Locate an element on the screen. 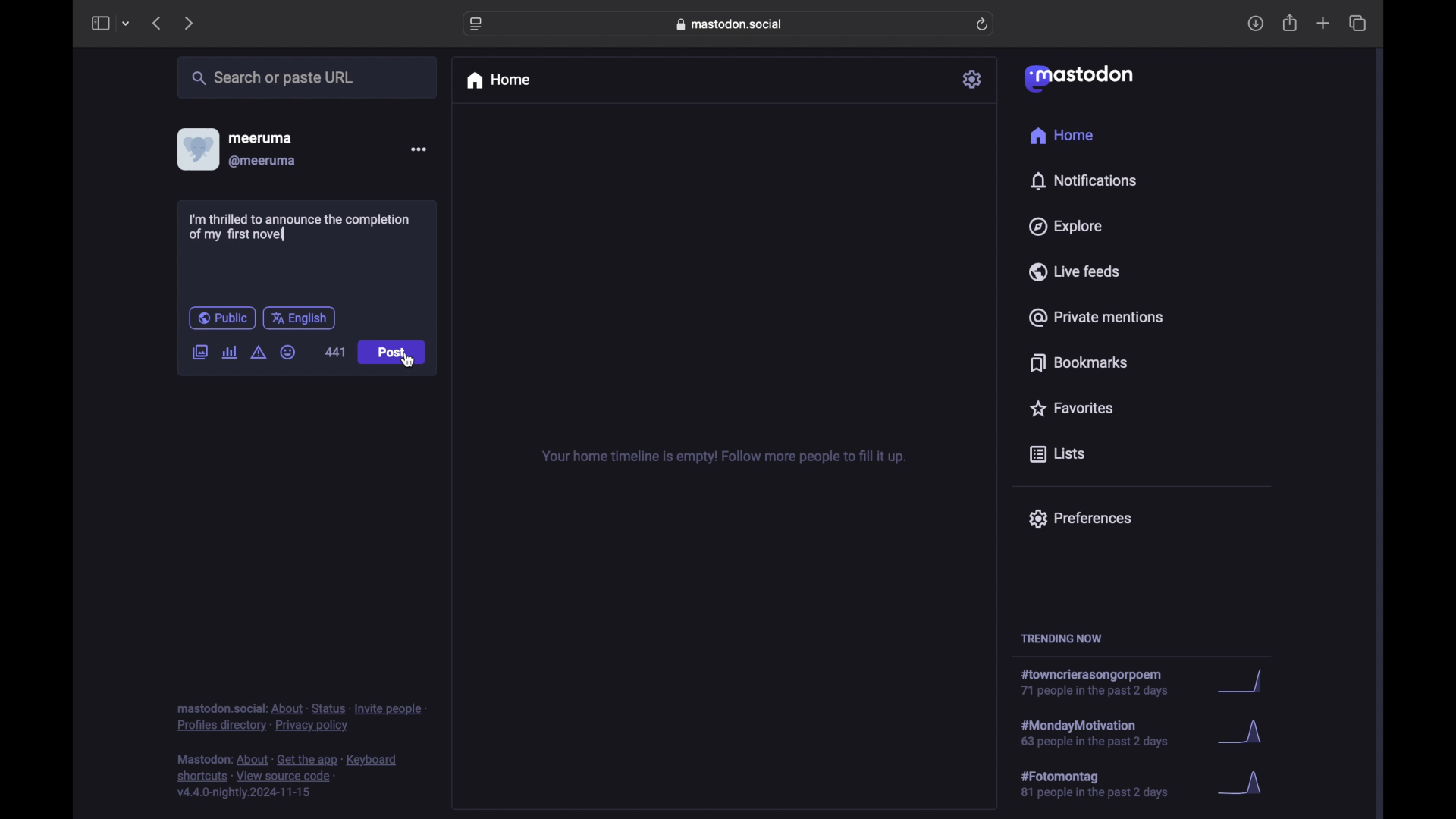  your home timeline is  empty! follow for more tips is located at coordinates (722, 457).